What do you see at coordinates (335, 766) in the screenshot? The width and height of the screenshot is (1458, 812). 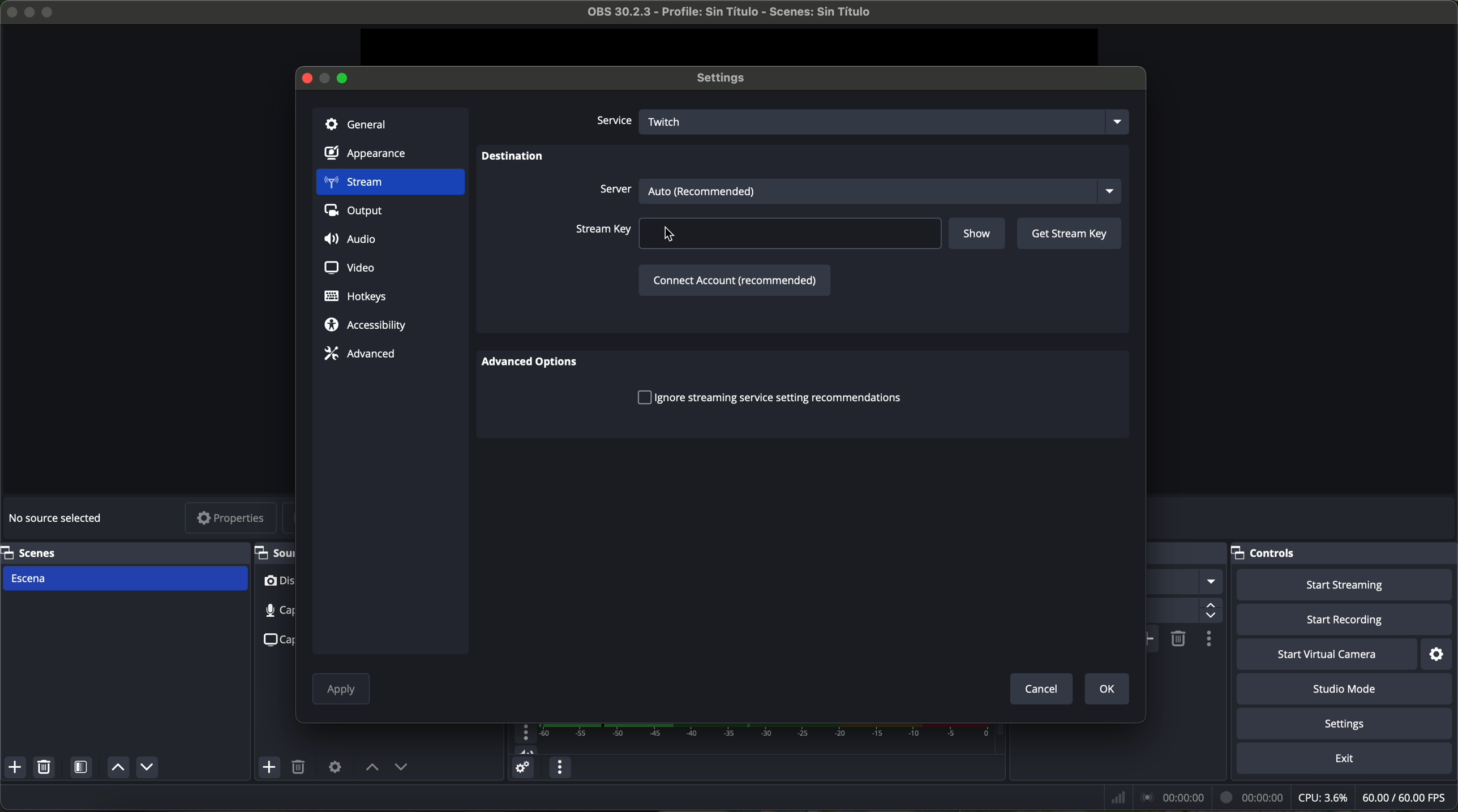 I see `open source properties` at bounding box center [335, 766].